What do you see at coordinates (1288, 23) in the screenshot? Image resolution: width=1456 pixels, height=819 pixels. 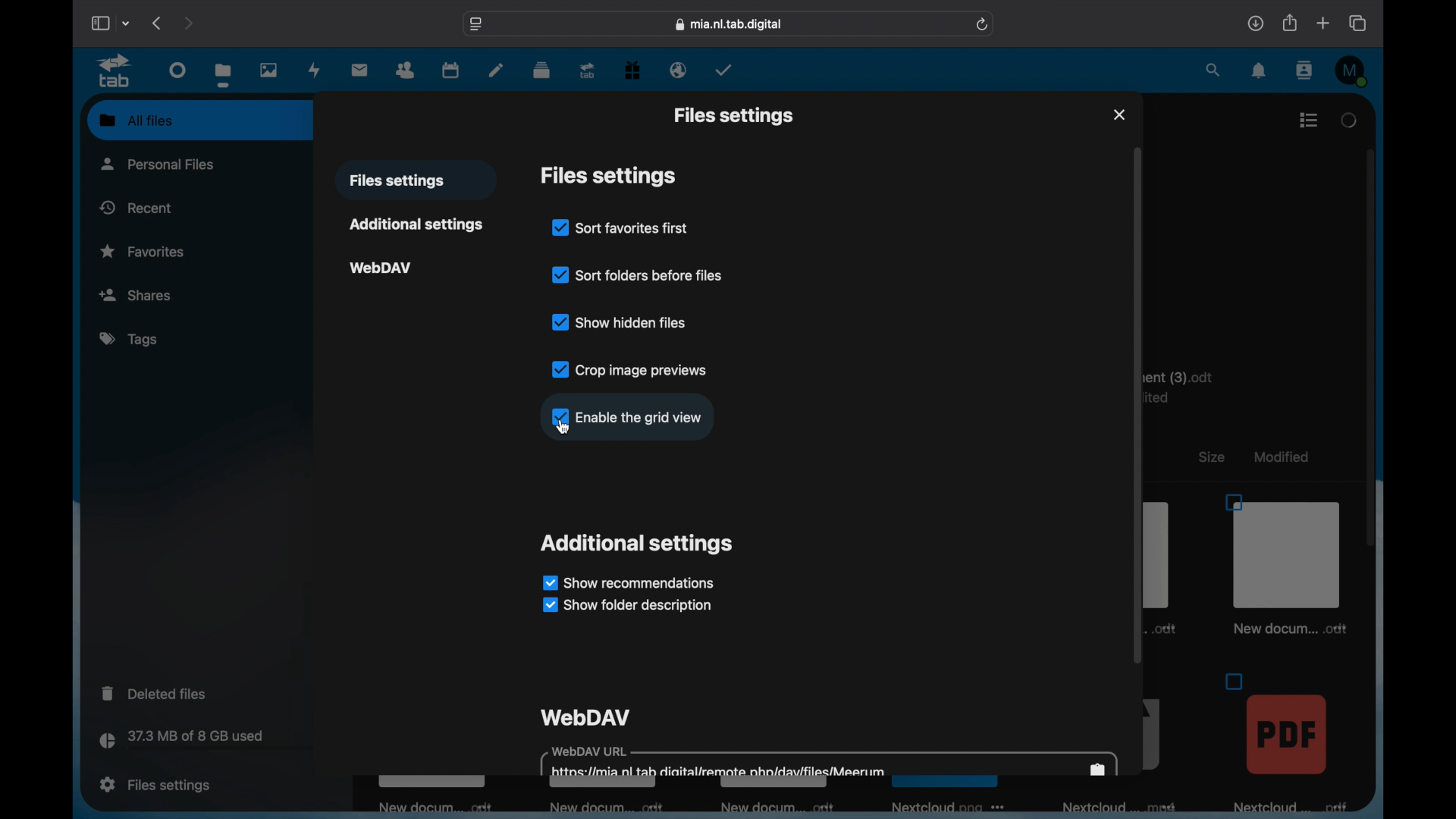 I see `share` at bounding box center [1288, 23].